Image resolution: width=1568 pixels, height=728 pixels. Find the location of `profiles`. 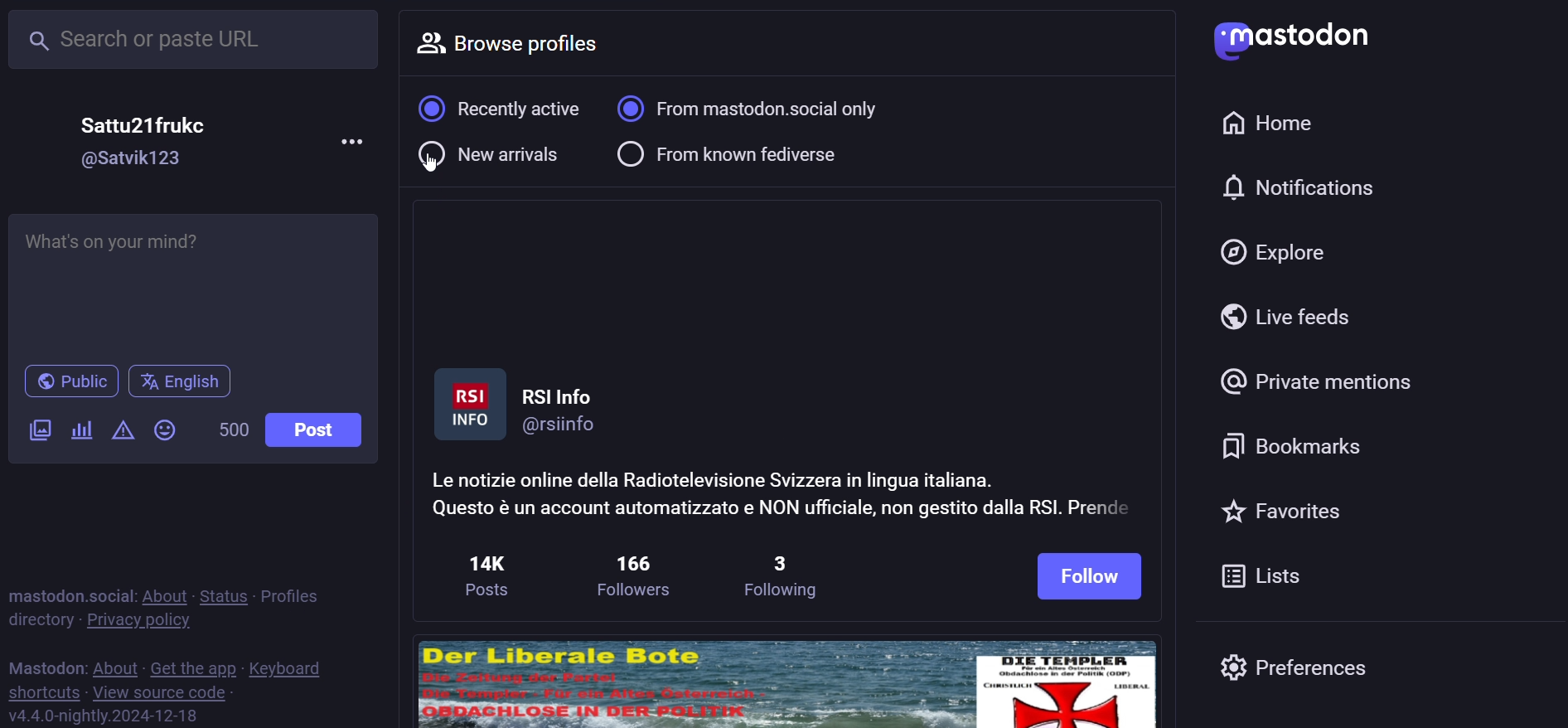

profiles is located at coordinates (301, 595).